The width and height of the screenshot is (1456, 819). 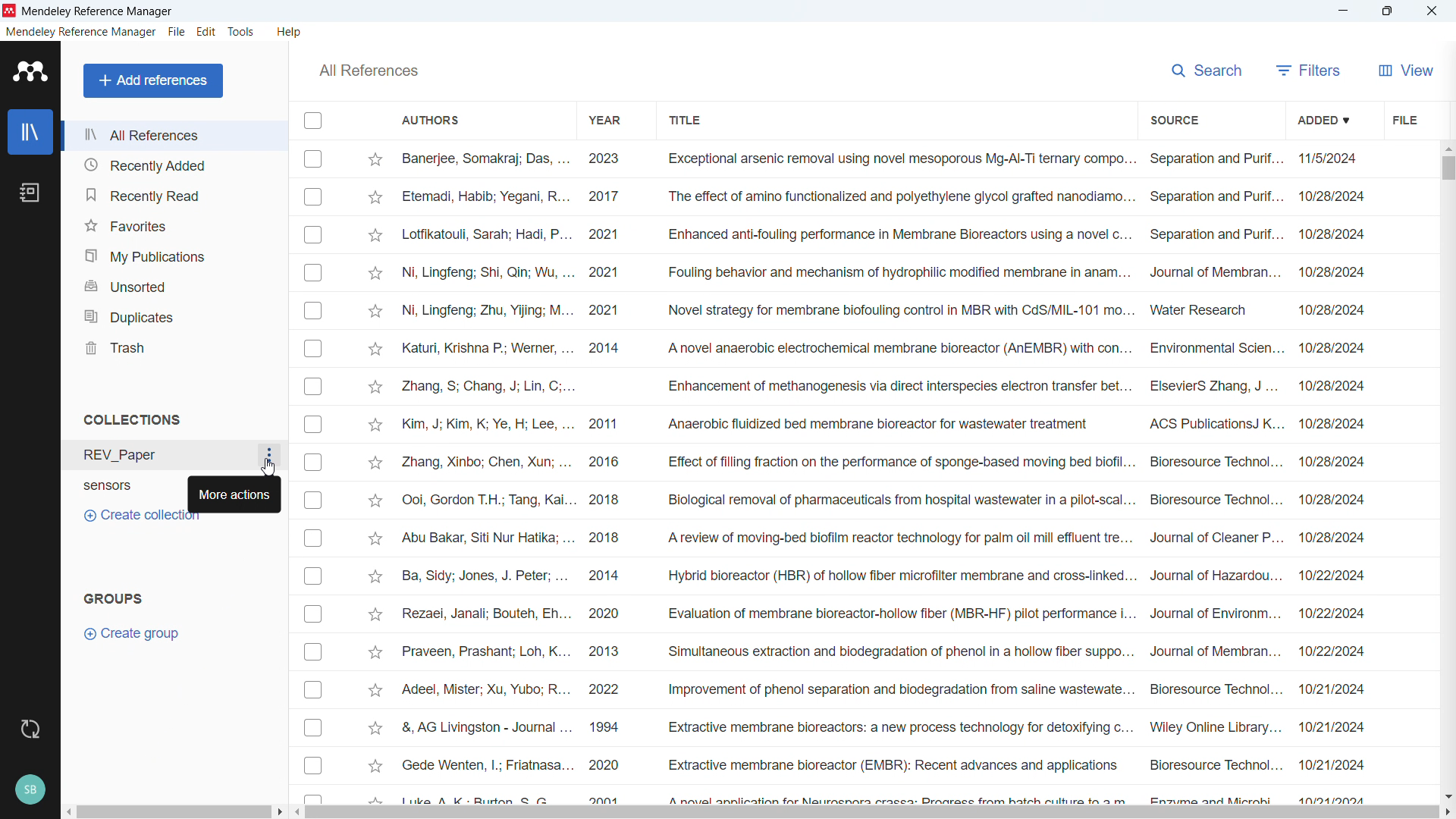 I want to click on Star mark respective publication, so click(x=375, y=766).